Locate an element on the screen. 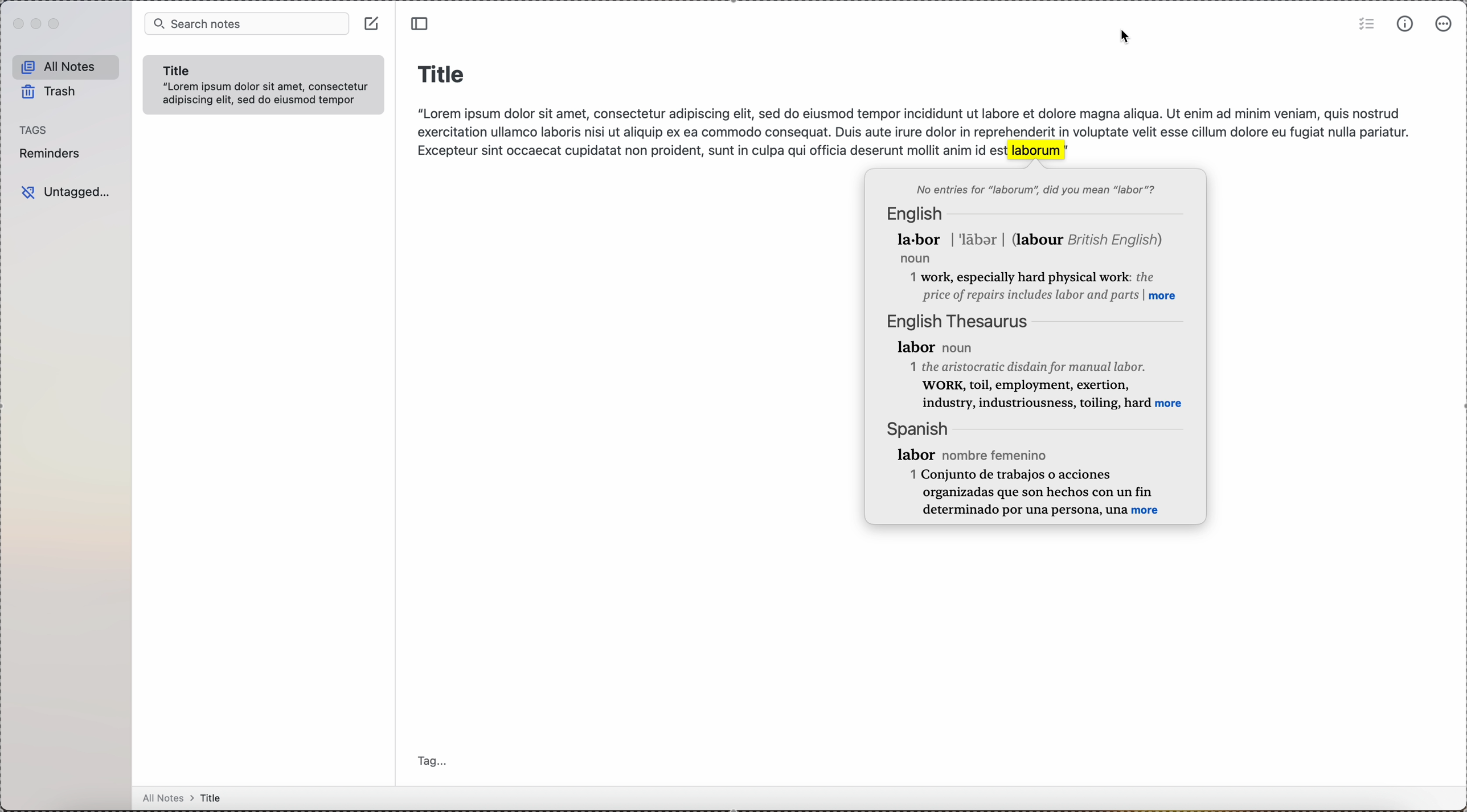 The width and height of the screenshot is (1467, 812). spanish is located at coordinates (1026, 467).